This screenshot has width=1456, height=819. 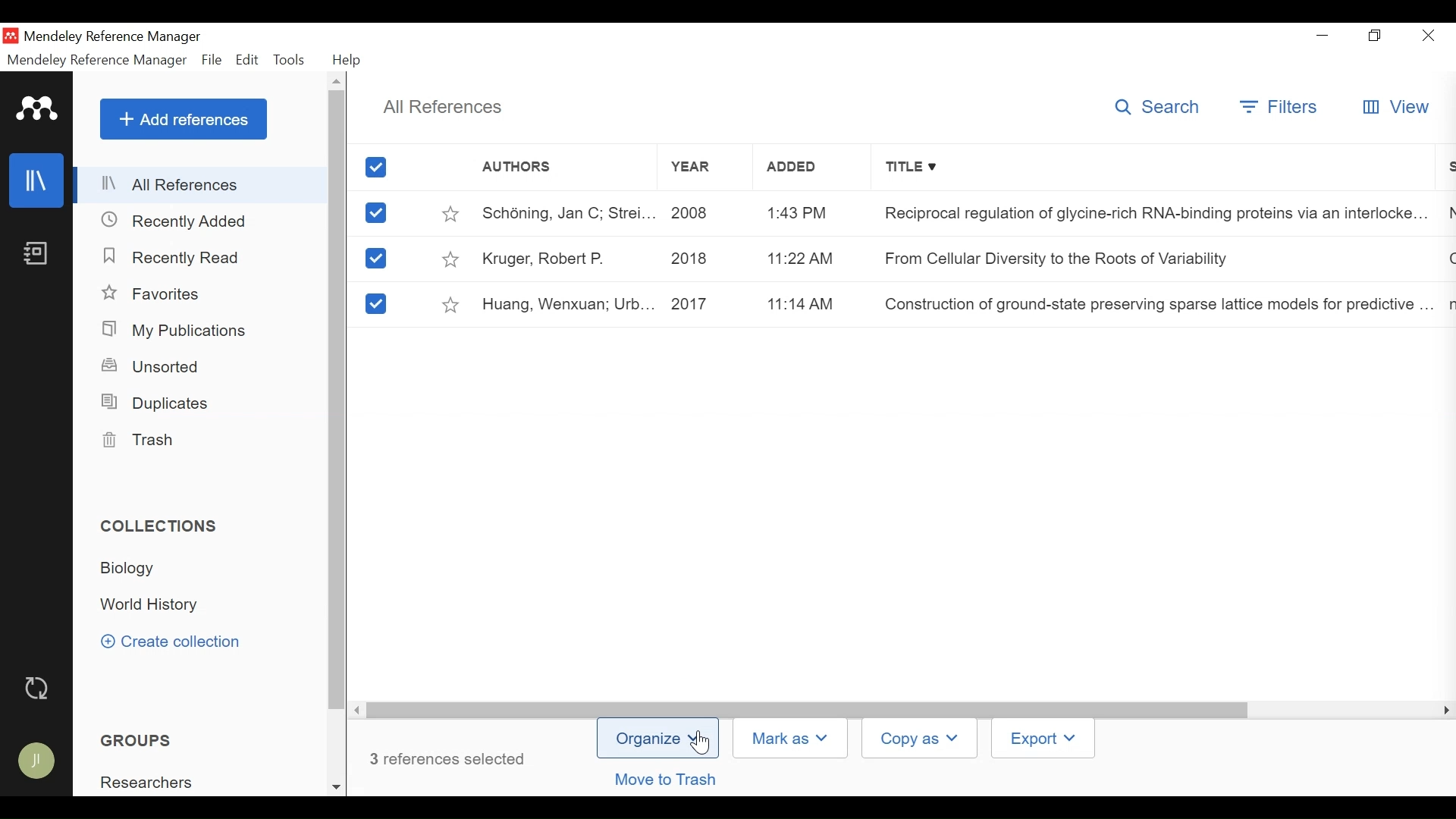 I want to click on Toggle Favorites, so click(x=451, y=212).